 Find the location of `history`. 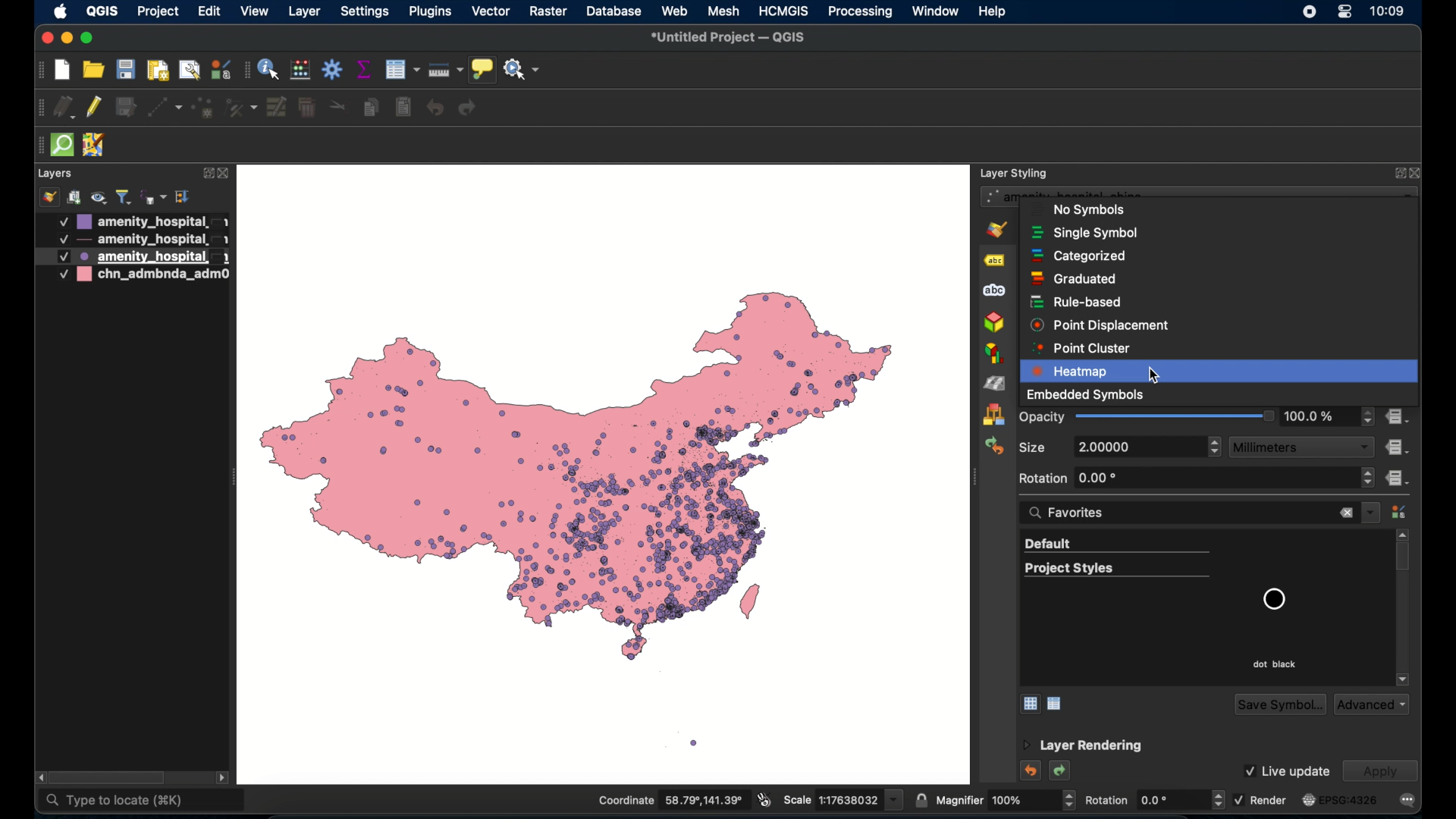

history is located at coordinates (993, 447).